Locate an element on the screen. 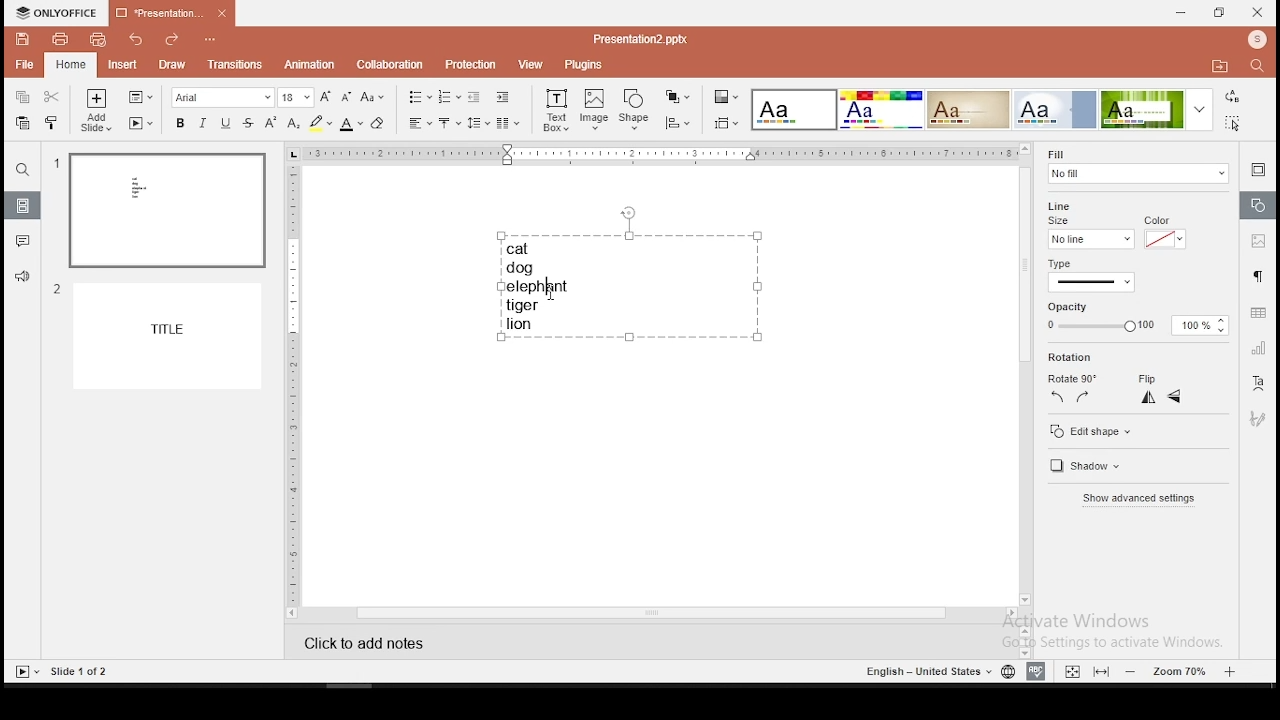 The image size is (1280, 720). presentation is located at coordinates (168, 13).